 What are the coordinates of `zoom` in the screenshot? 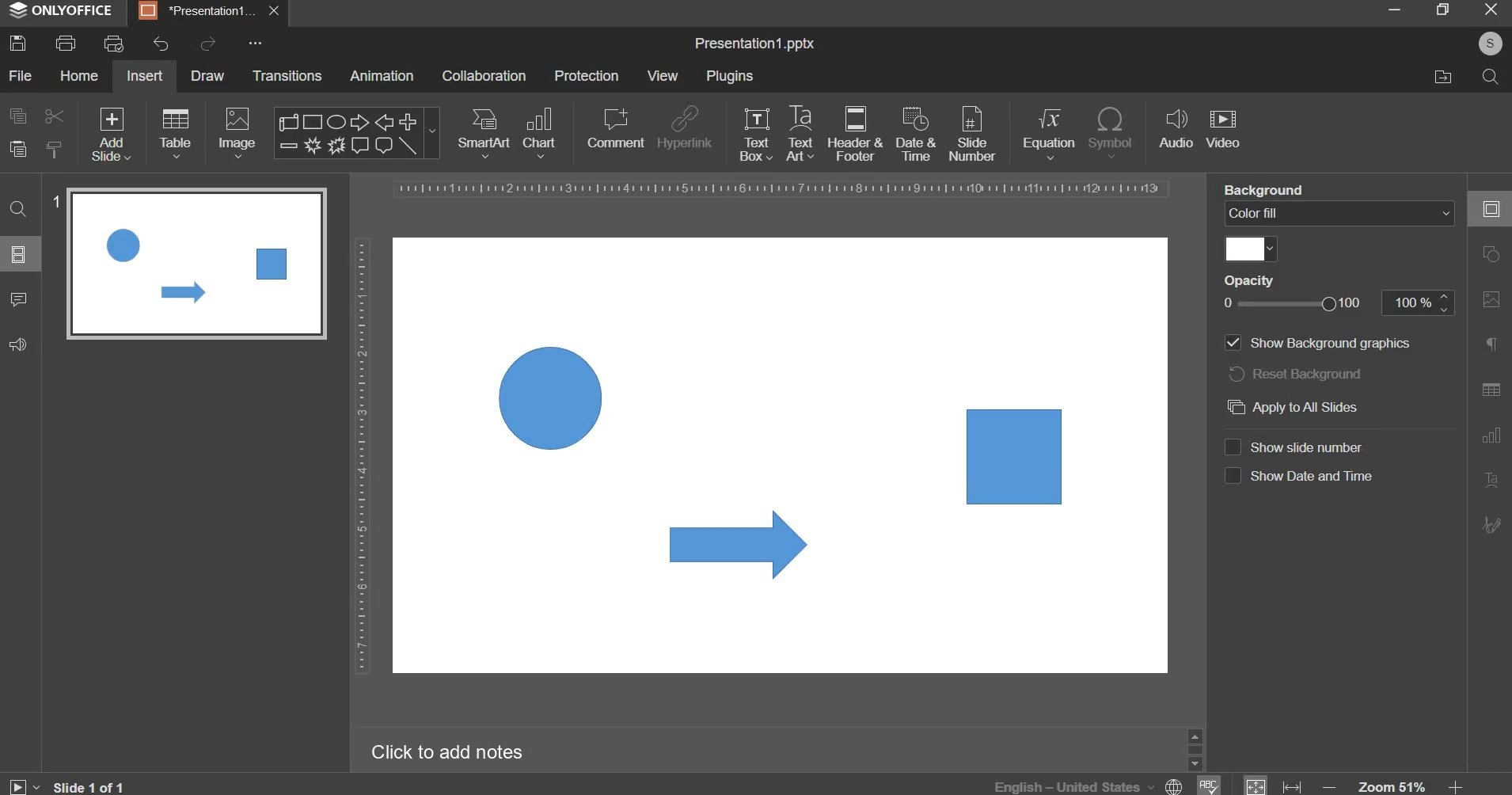 It's located at (1393, 785).